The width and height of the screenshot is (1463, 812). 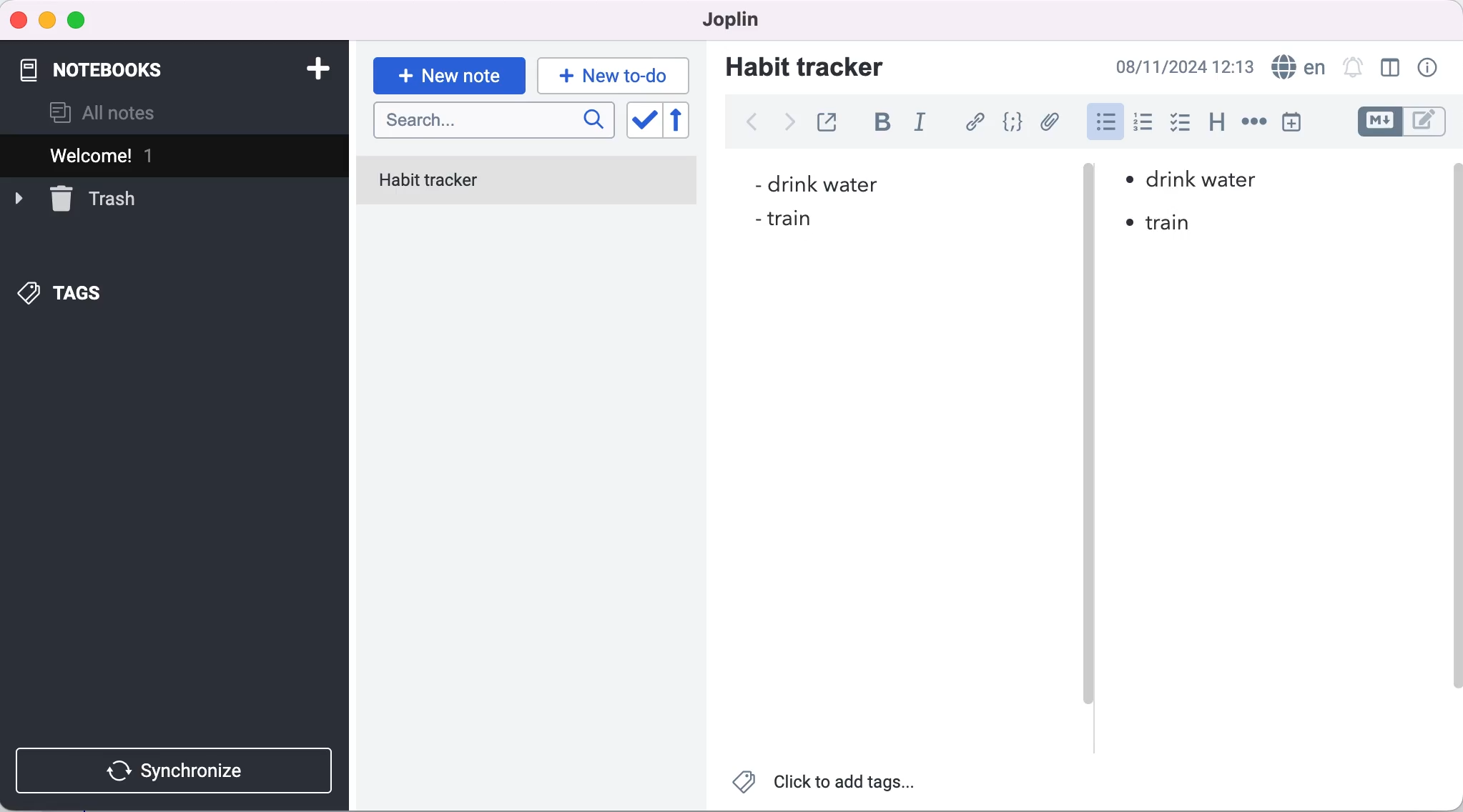 I want to click on all notes, so click(x=103, y=113).